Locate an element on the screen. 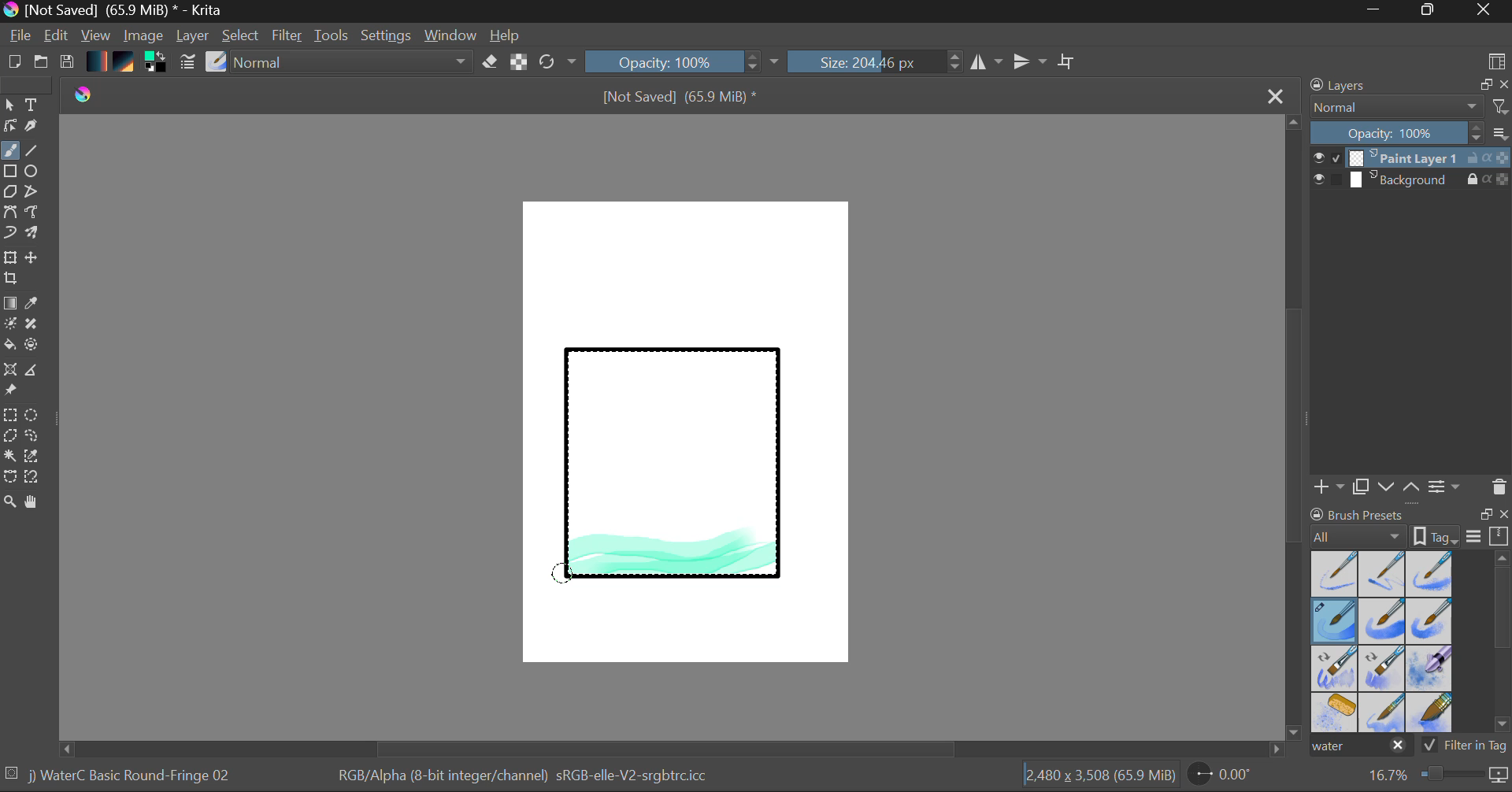 The width and height of the screenshot is (1512, 792). Blending Mode is located at coordinates (1410, 107).